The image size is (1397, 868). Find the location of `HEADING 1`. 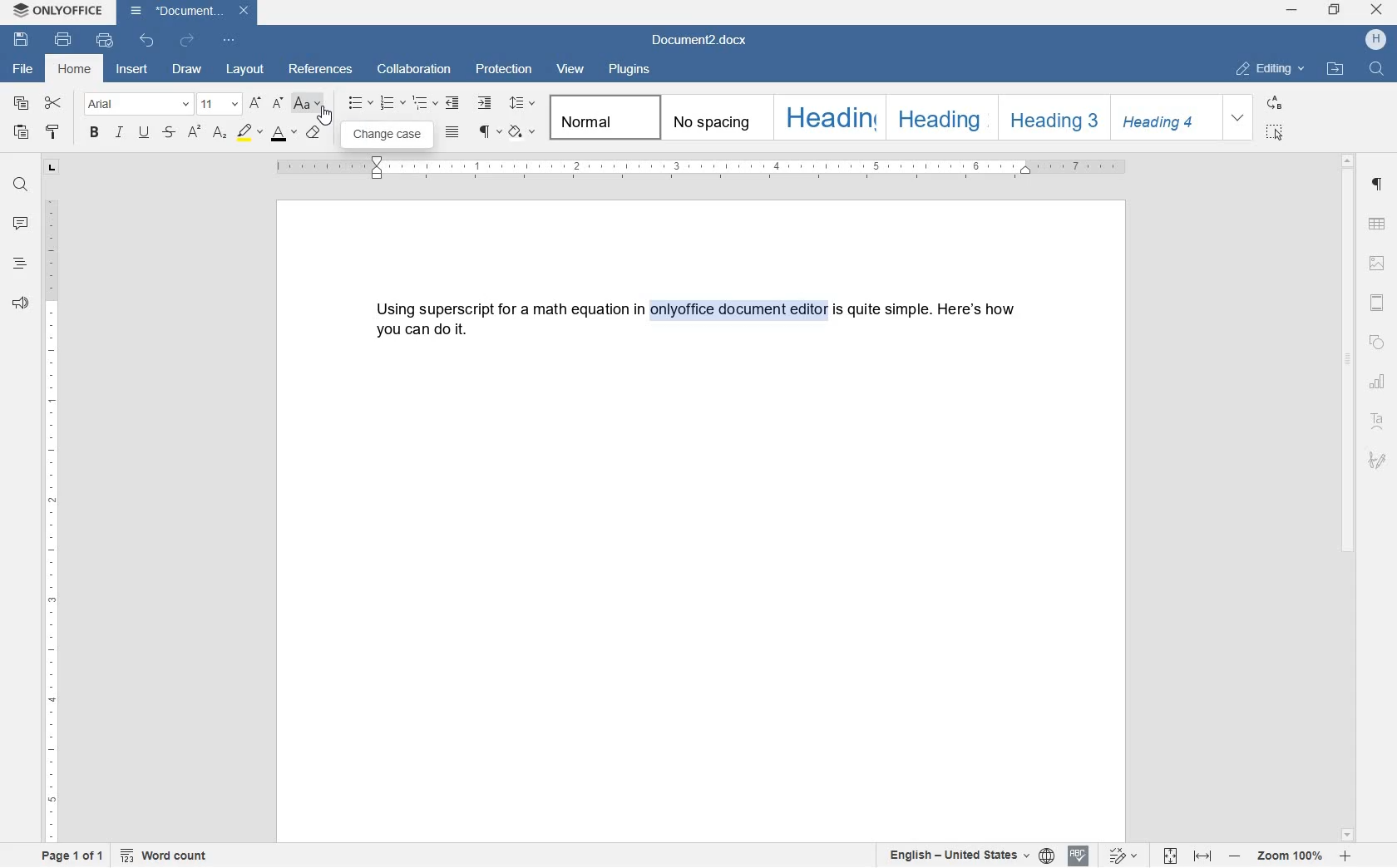

HEADING 1 is located at coordinates (827, 118).